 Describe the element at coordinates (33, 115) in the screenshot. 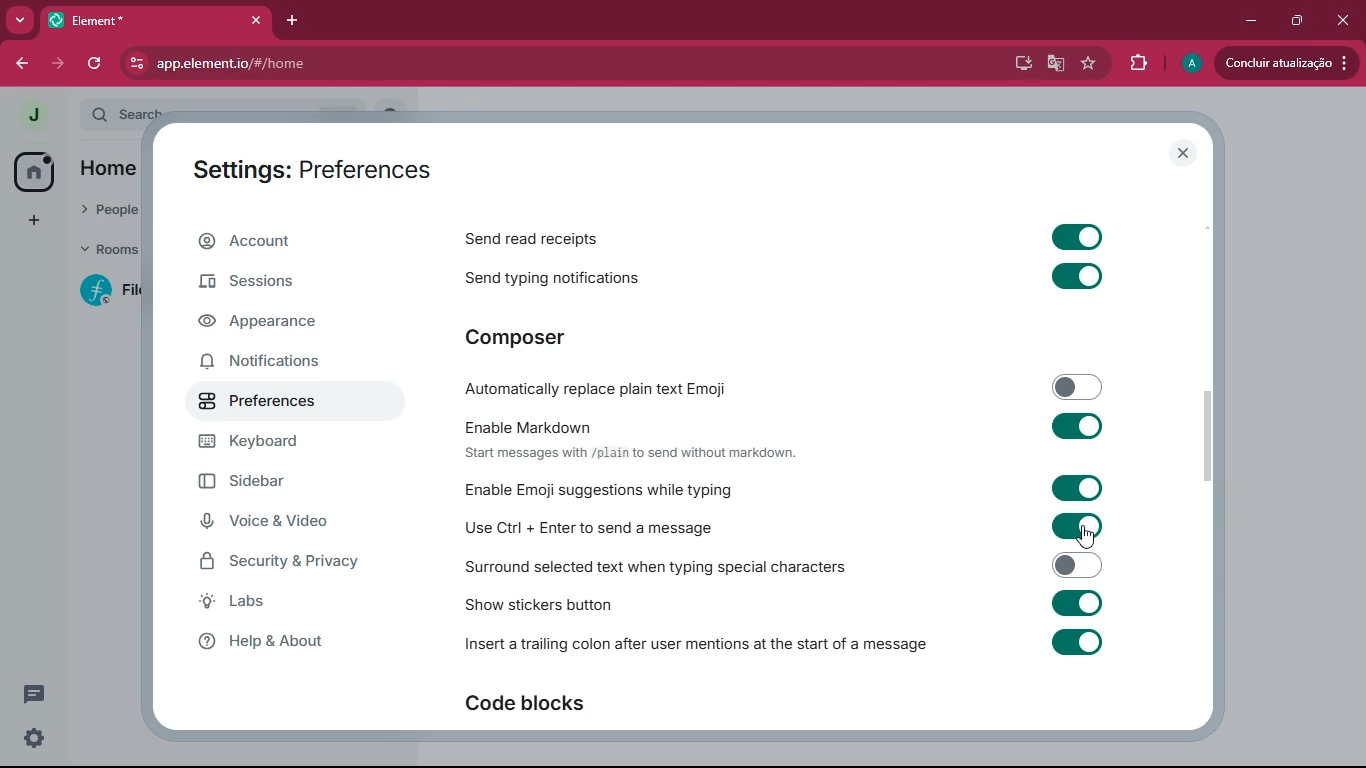

I see `profile picture` at that location.